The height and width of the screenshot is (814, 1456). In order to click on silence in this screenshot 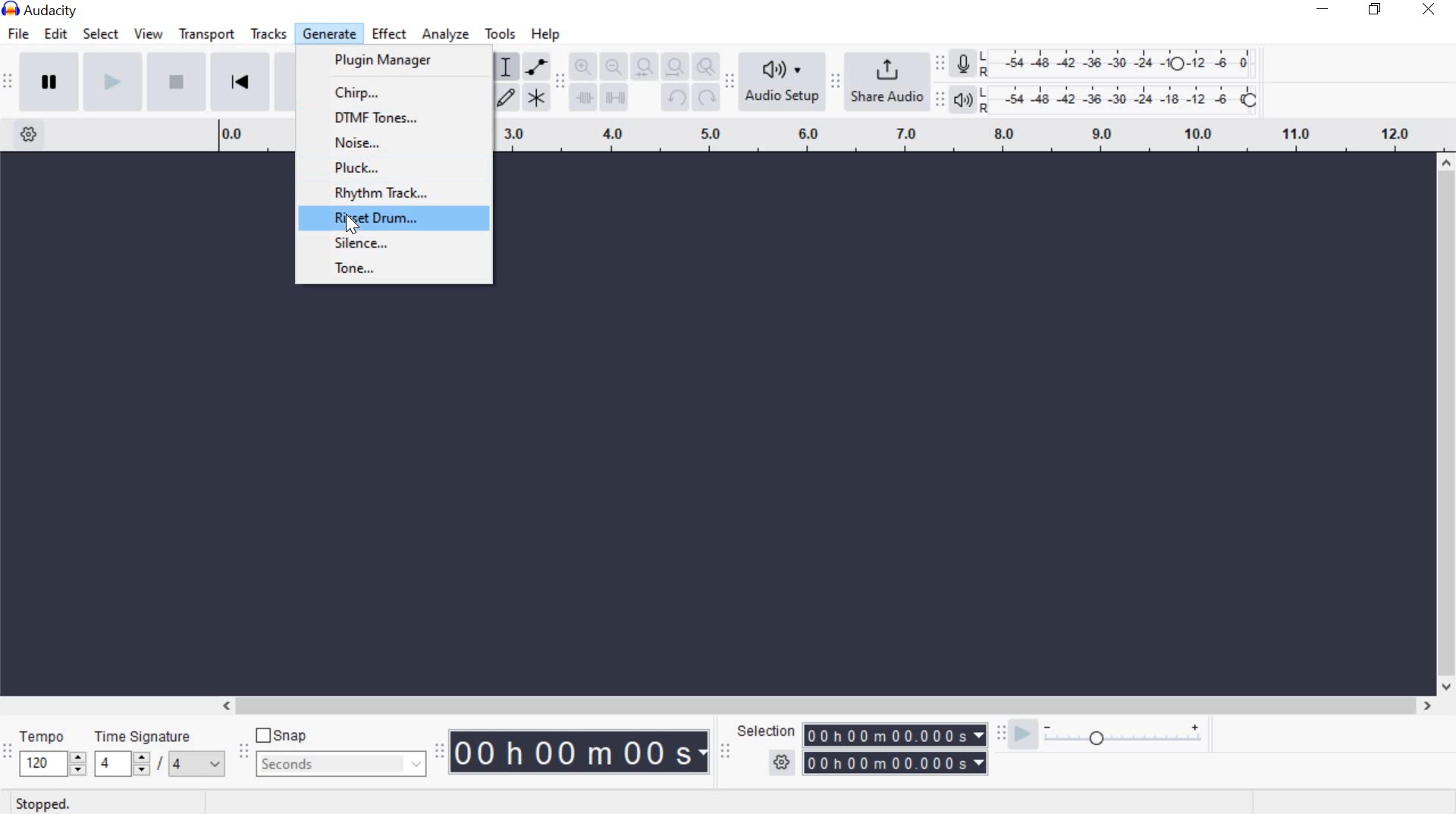, I will do `click(394, 243)`.